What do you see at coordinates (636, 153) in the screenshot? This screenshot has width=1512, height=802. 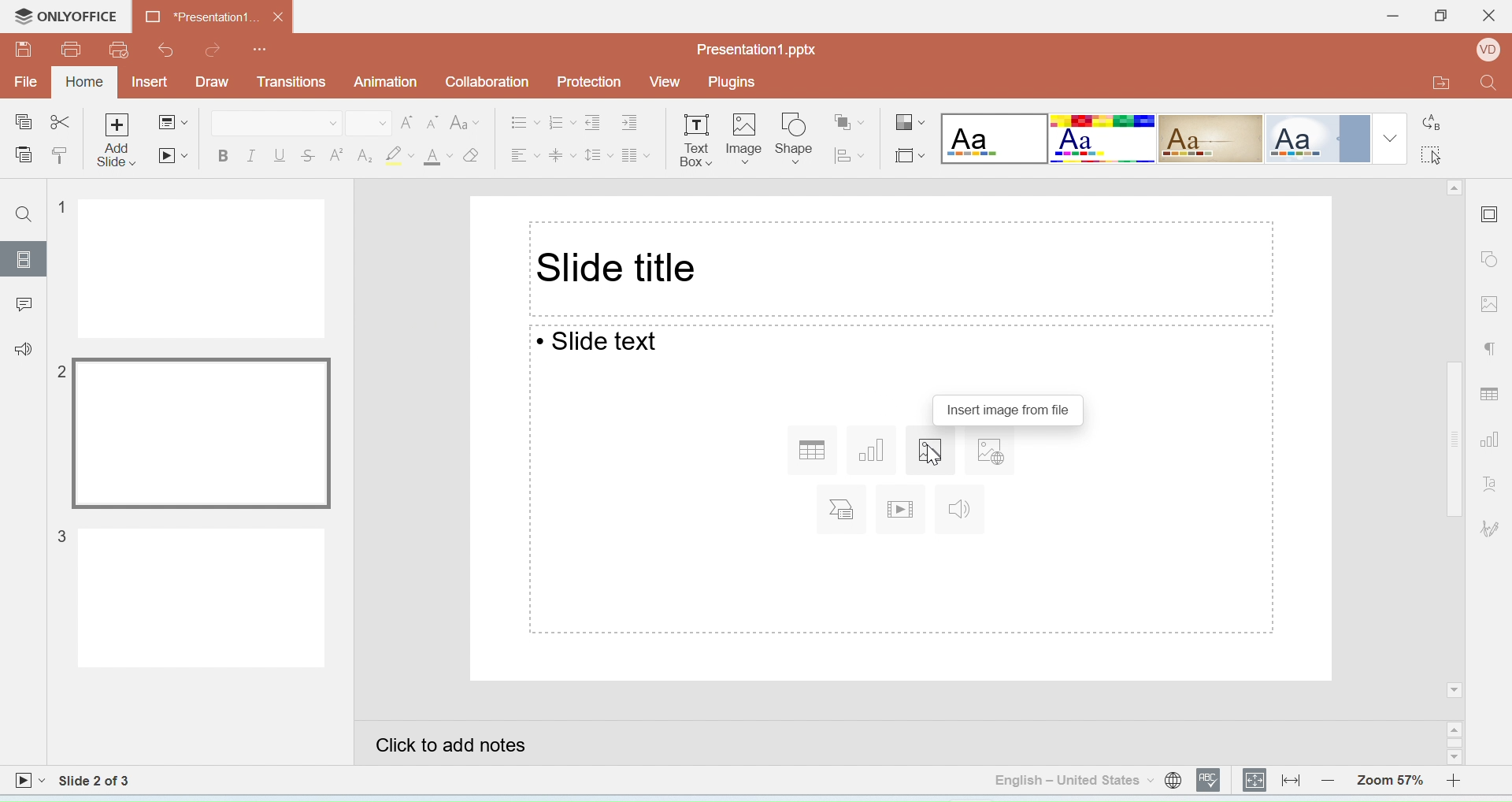 I see `Insert columns` at bounding box center [636, 153].